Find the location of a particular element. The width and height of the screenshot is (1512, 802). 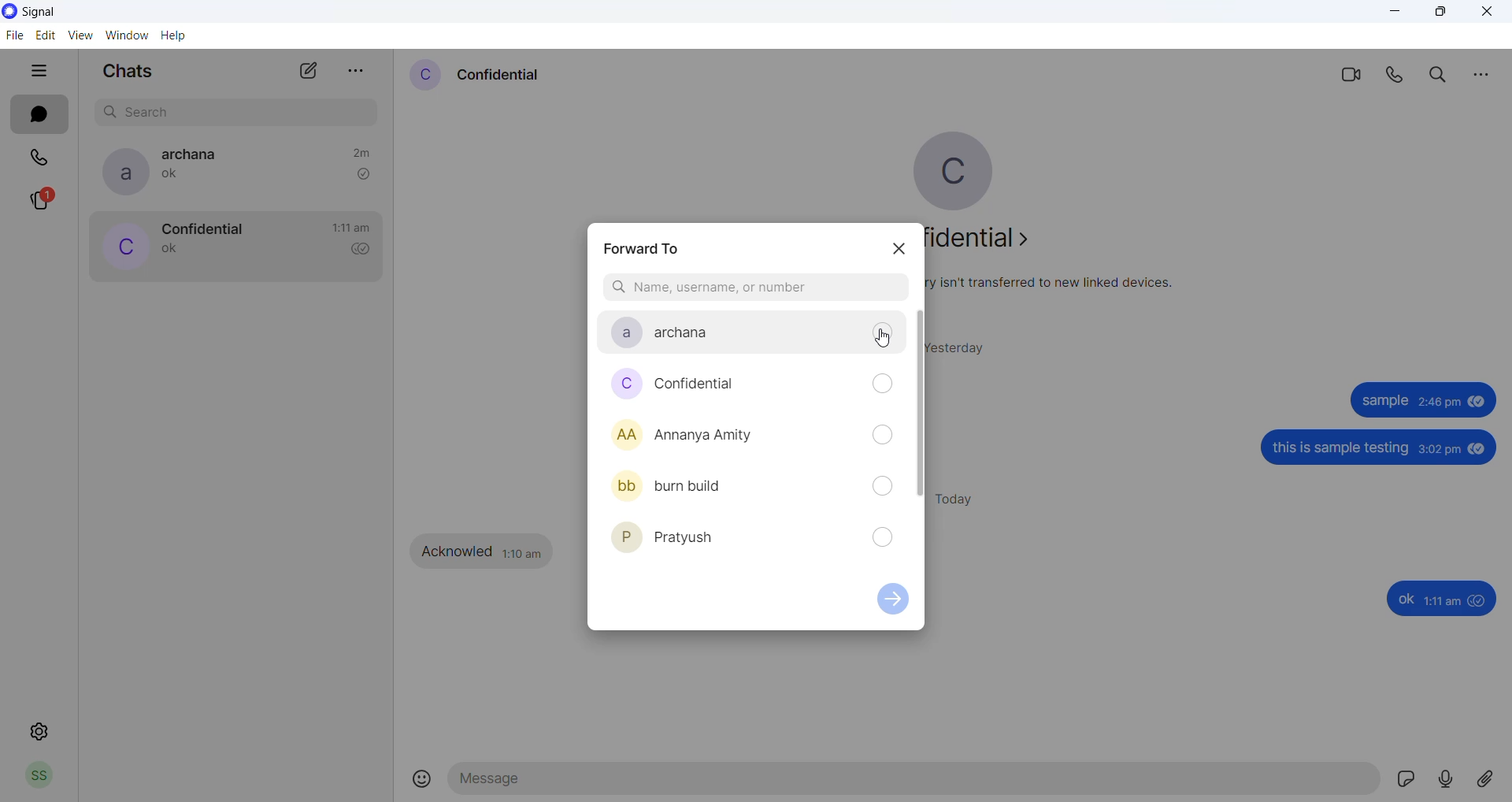

close is located at coordinates (900, 250).